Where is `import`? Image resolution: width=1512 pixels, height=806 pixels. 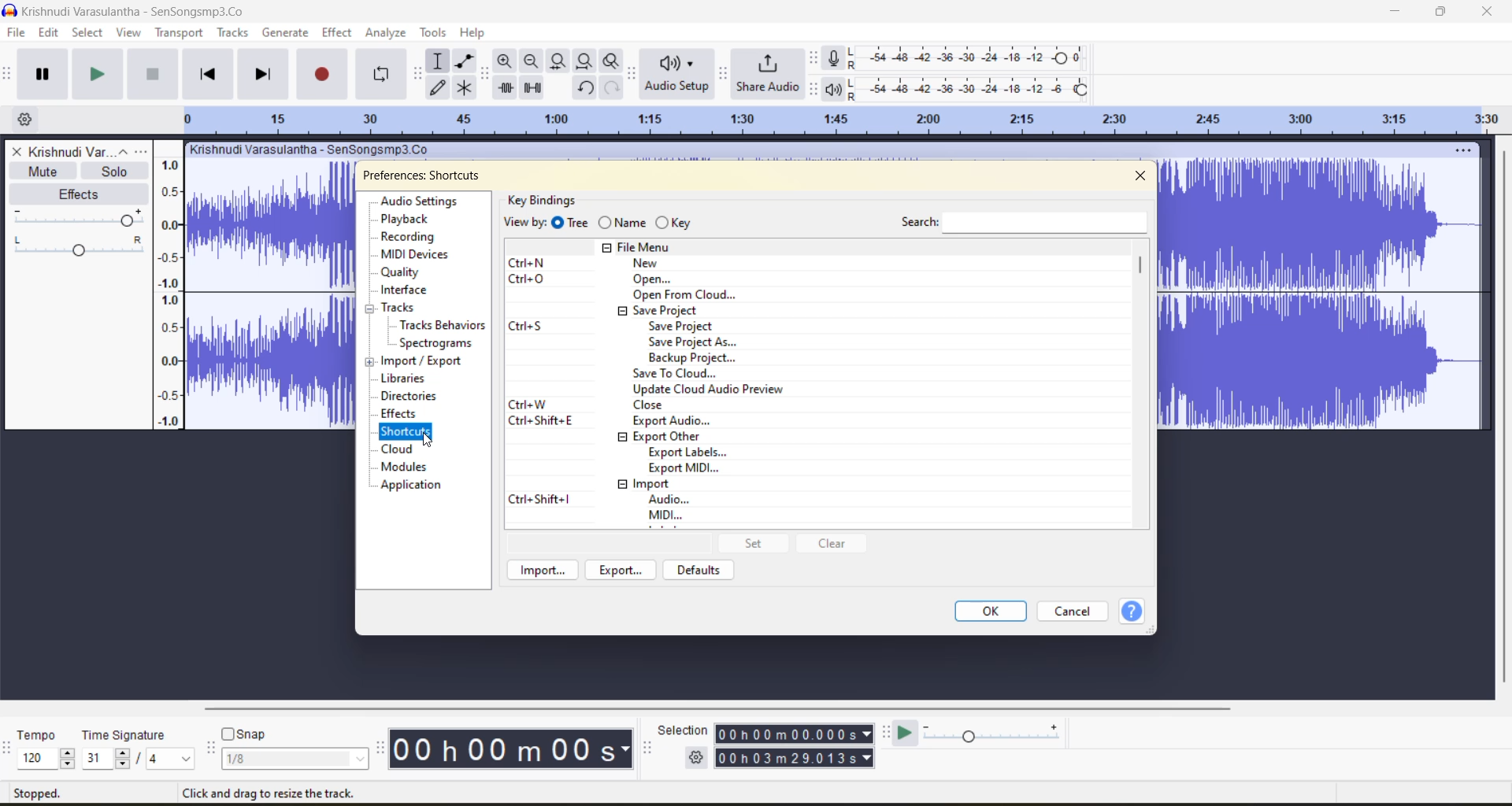 import is located at coordinates (543, 570).